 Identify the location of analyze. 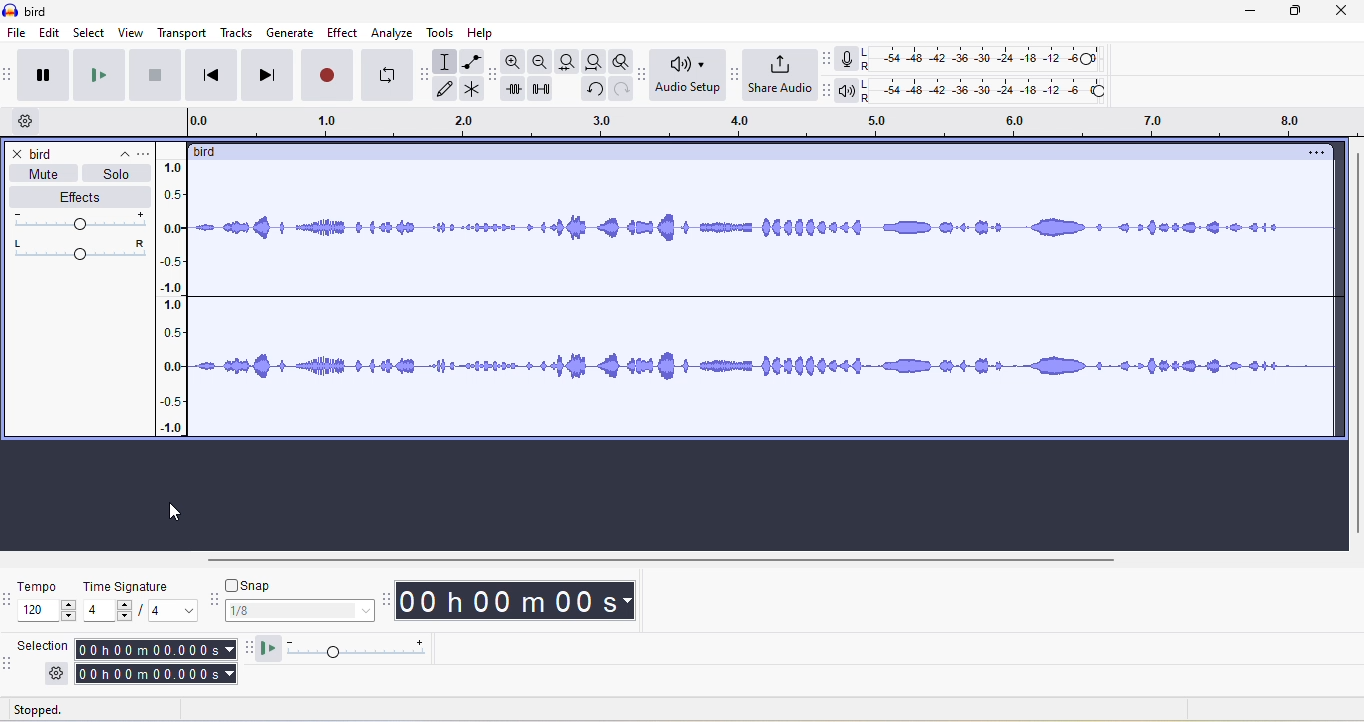
(393, 33).